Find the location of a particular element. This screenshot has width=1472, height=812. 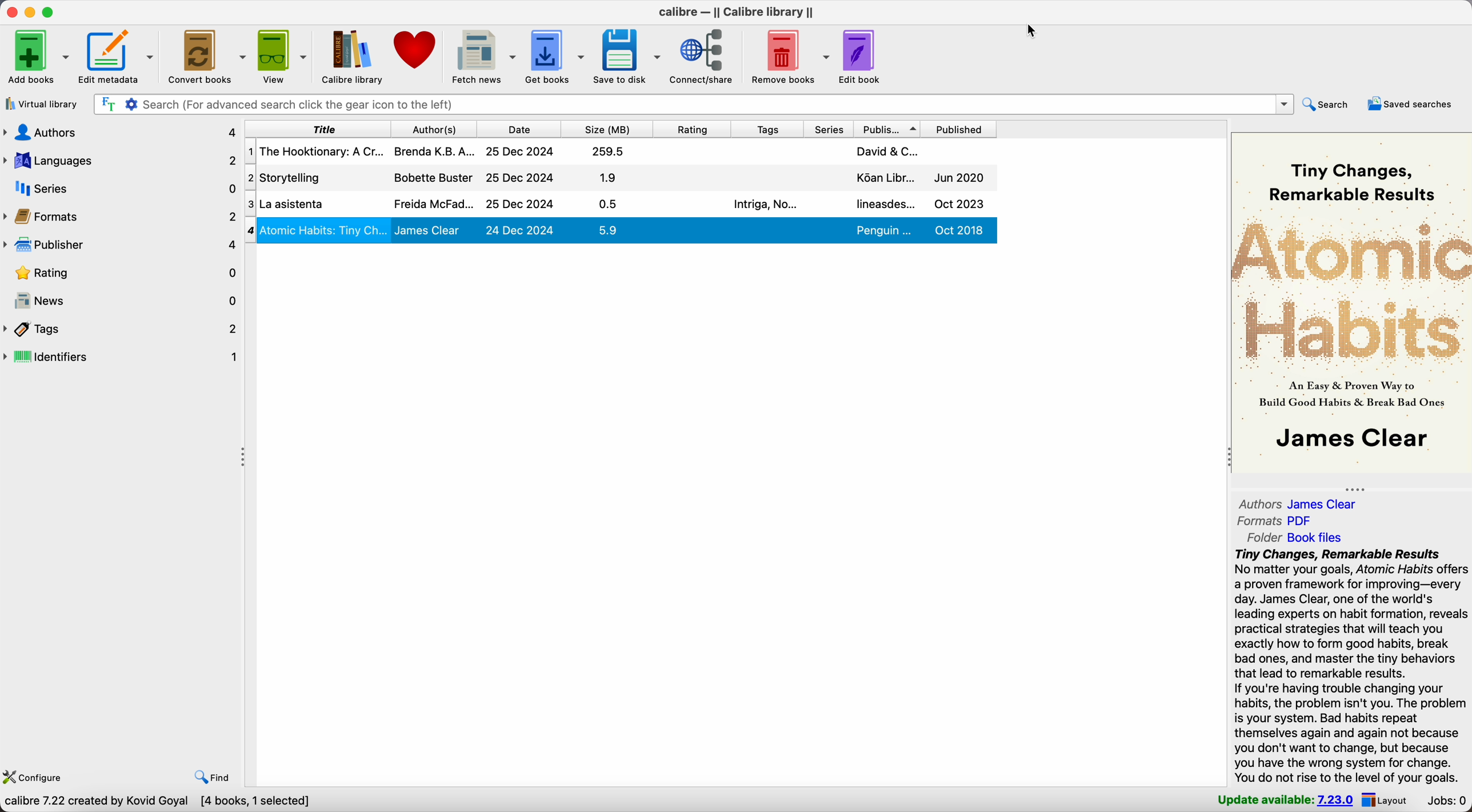

Jobs: 0 is located at coordinates (1446, 801).